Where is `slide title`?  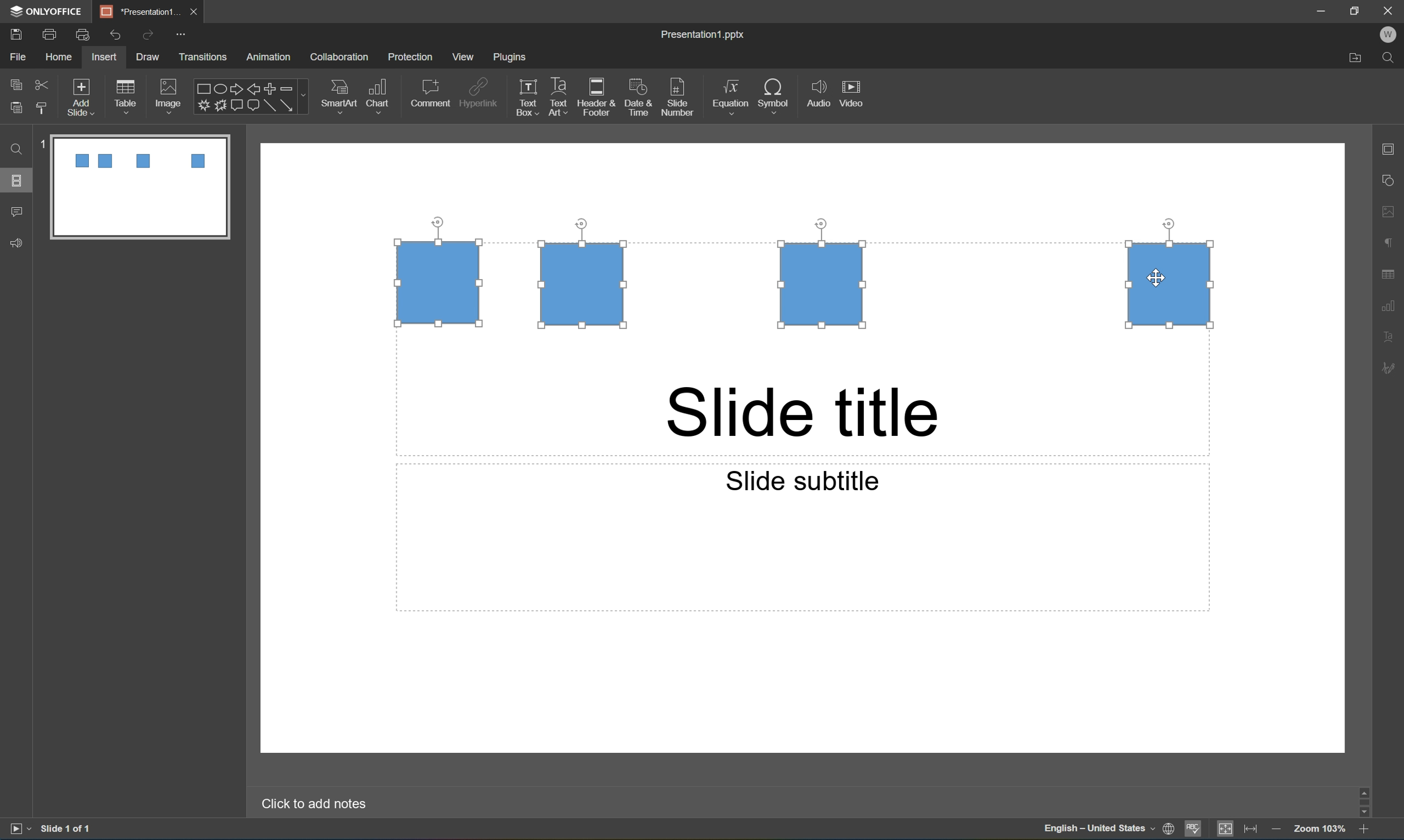 slide title is located at coordinates (803, 413).